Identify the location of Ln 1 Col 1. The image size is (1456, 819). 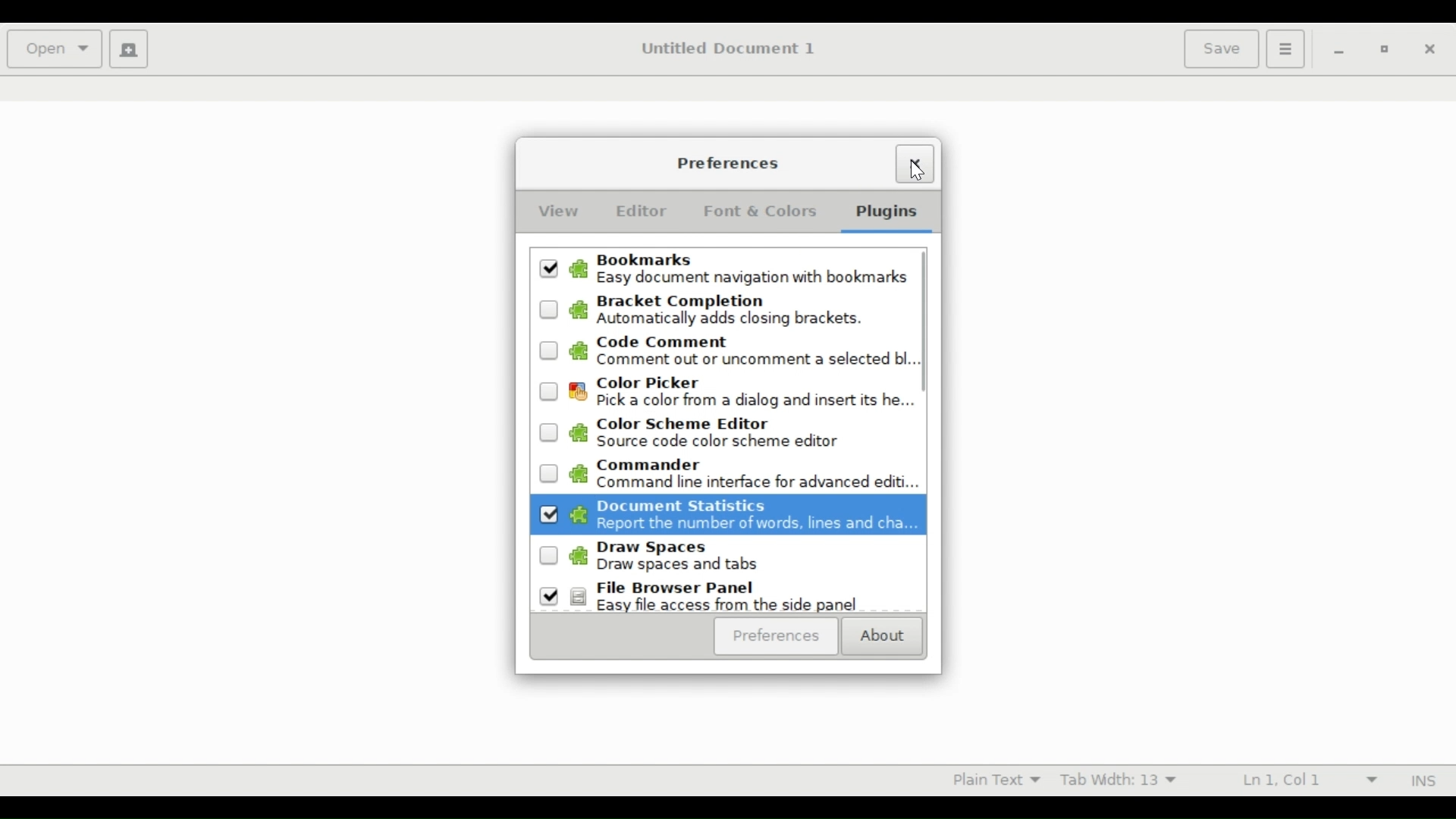
(1301, 779).